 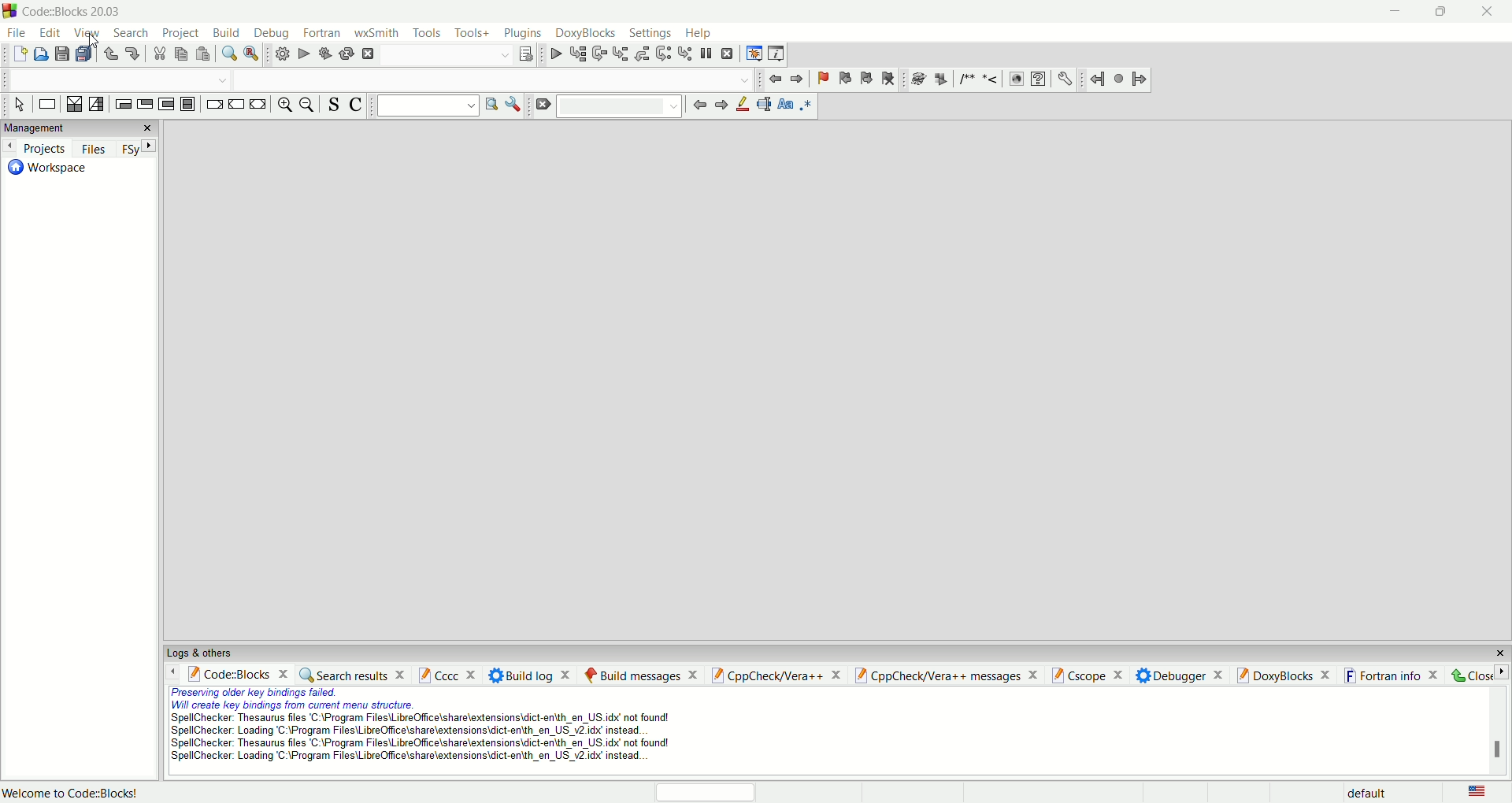 What do you see at coordinates (302, 56) in the screenshot?
I see `run` at bounding box center [302, 56].